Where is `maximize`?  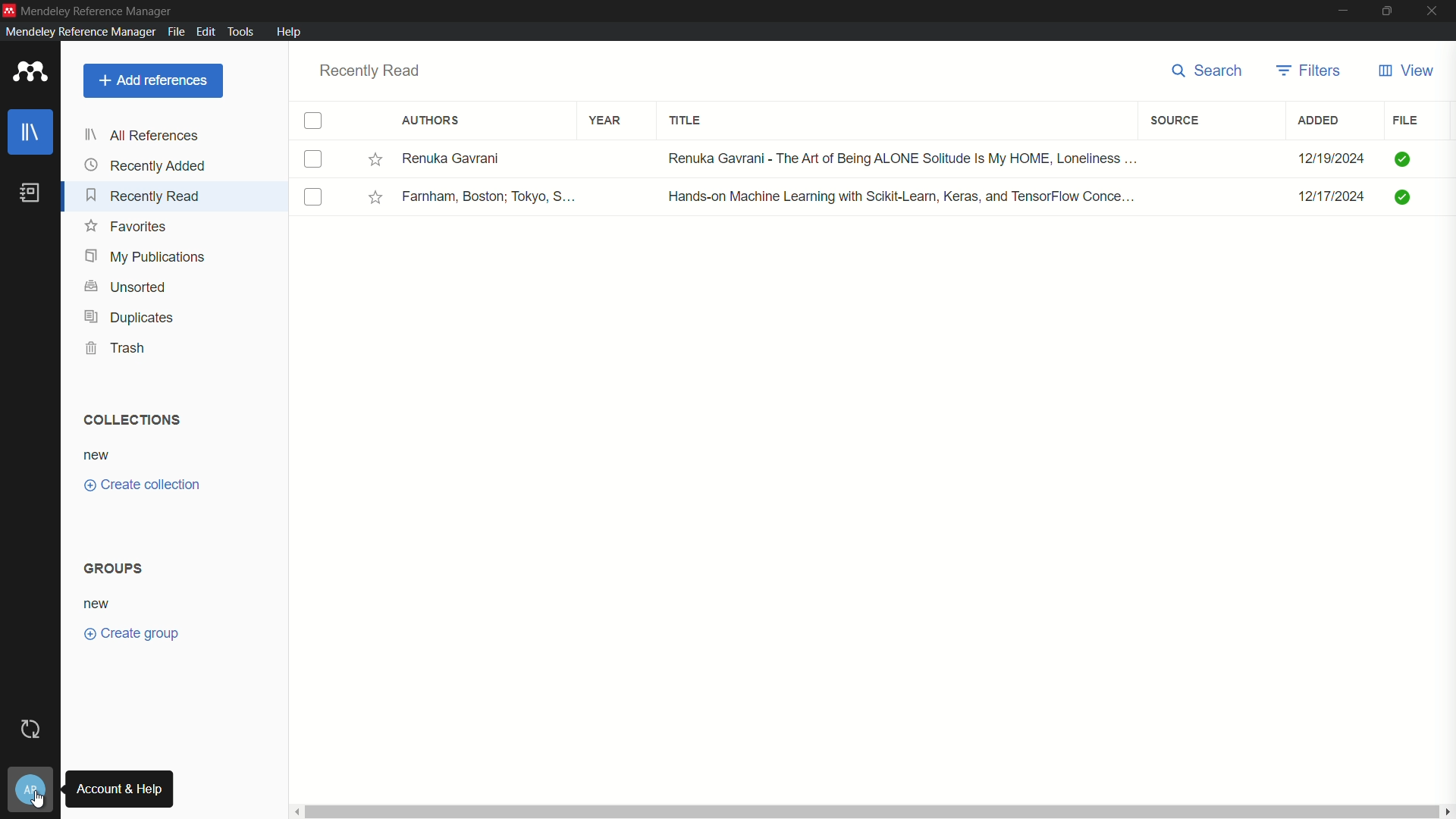
maximize is located at coordinates (1389, 11).